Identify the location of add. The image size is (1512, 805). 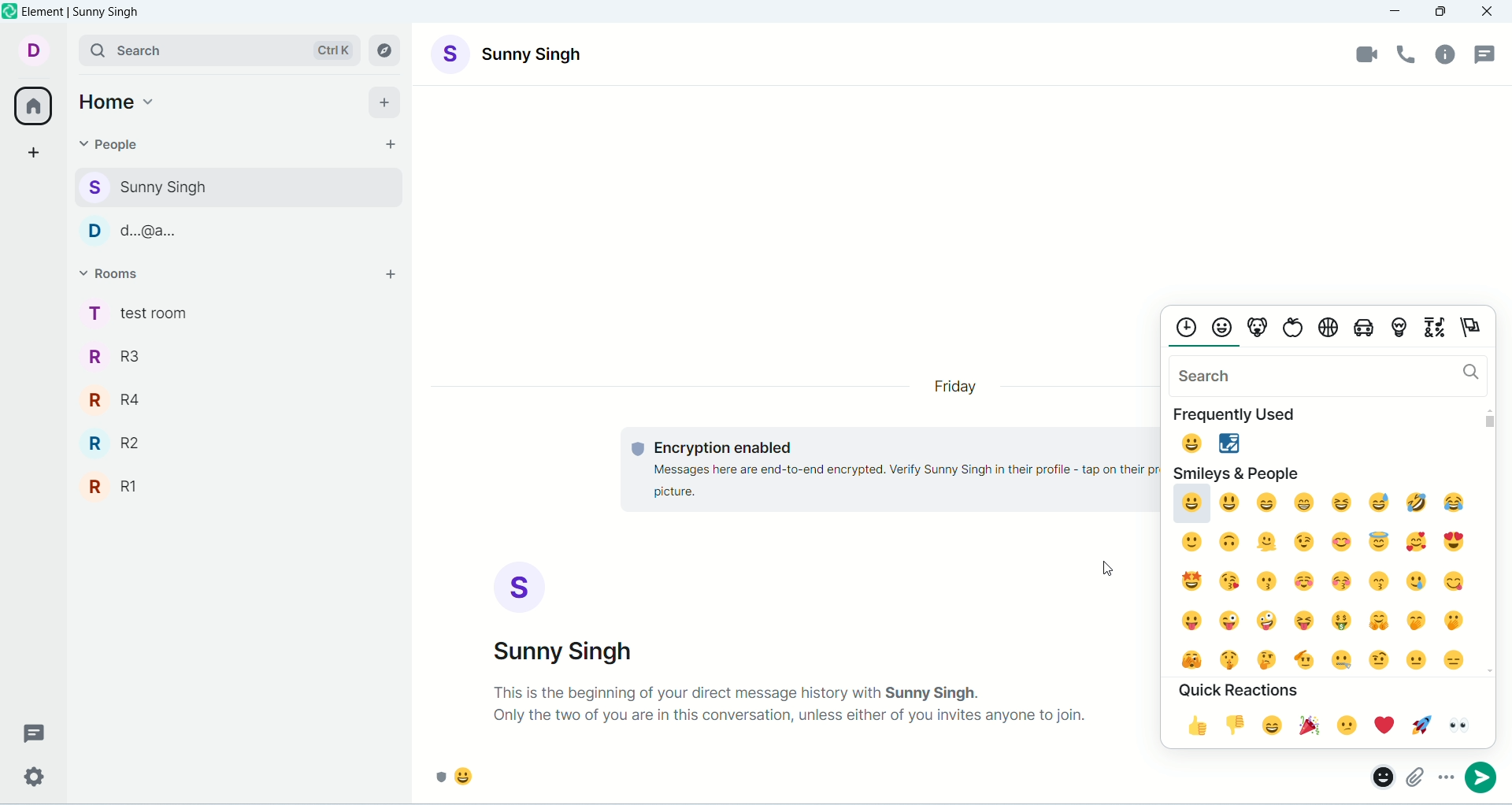
(389, 101).